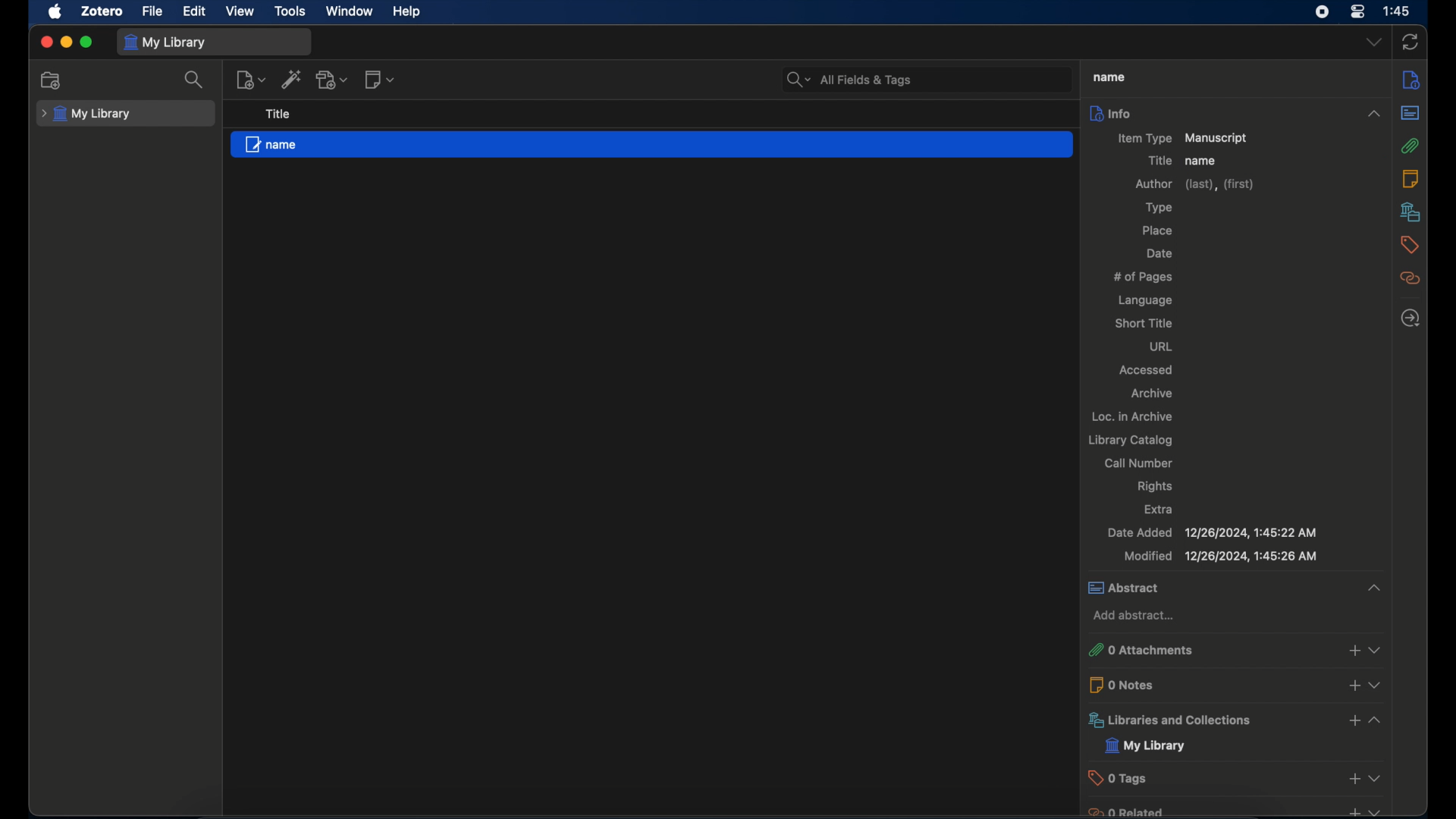  What do you see at coordinates (1410, 113) in the screenshot?
I see `abstract` at bounding box center [1410, 113].